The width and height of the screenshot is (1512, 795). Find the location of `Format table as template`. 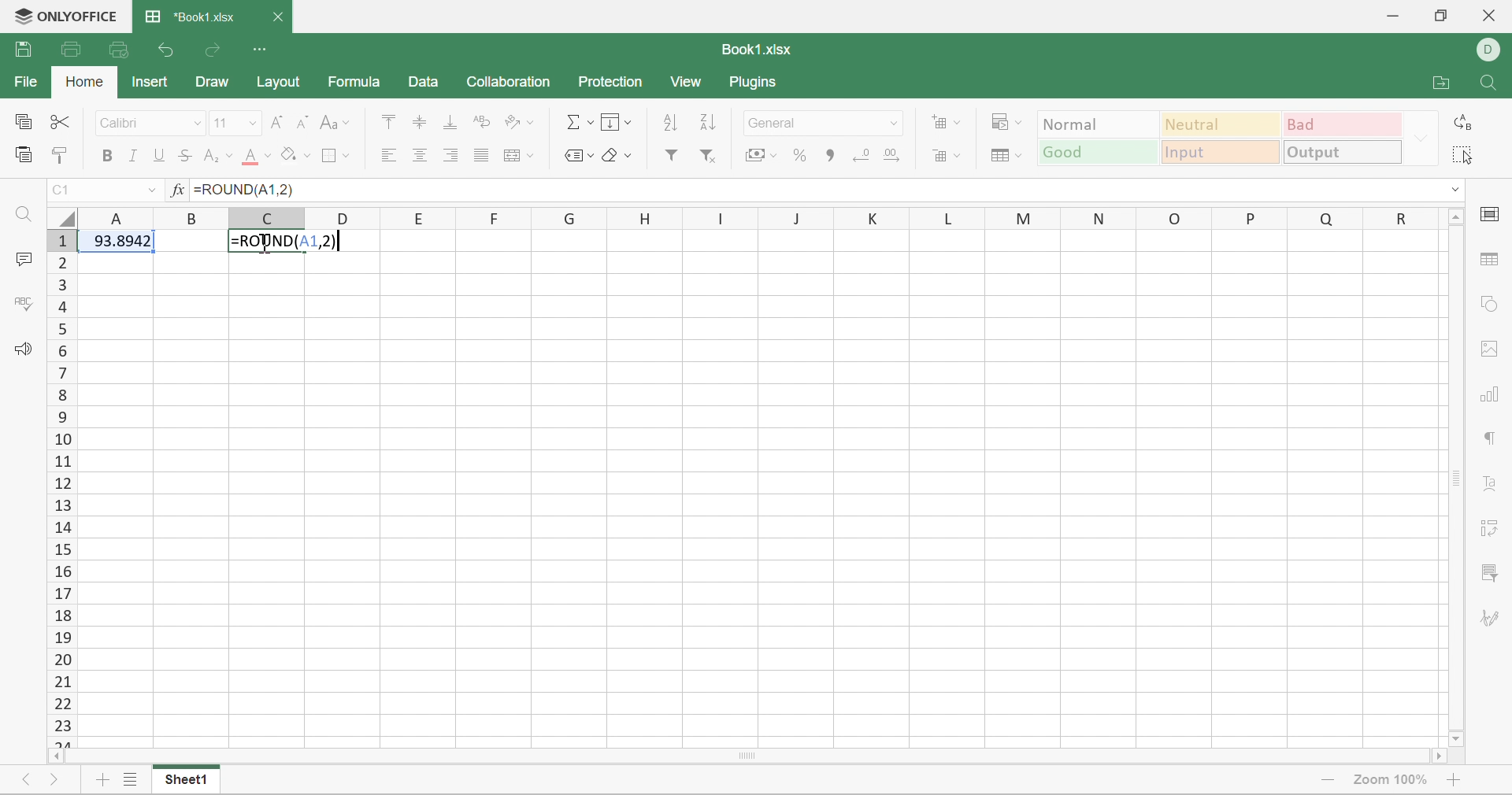

Format table as template is located at coordinates (1002, 154).